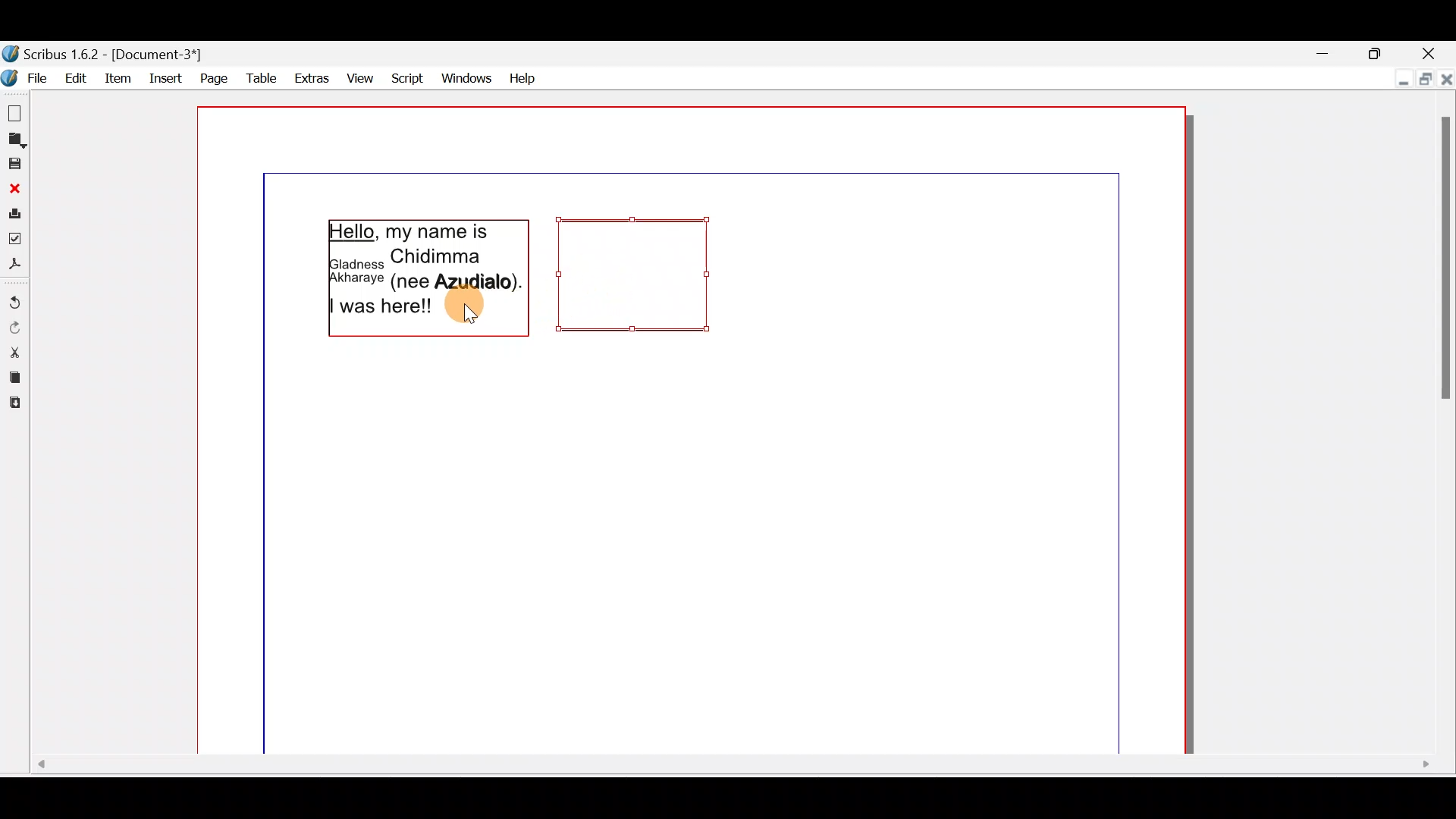 This screenshot has width=1456, height=819. Describe the element at coordinates (309, 77) in the screenshot. I see `Extras` at that location.